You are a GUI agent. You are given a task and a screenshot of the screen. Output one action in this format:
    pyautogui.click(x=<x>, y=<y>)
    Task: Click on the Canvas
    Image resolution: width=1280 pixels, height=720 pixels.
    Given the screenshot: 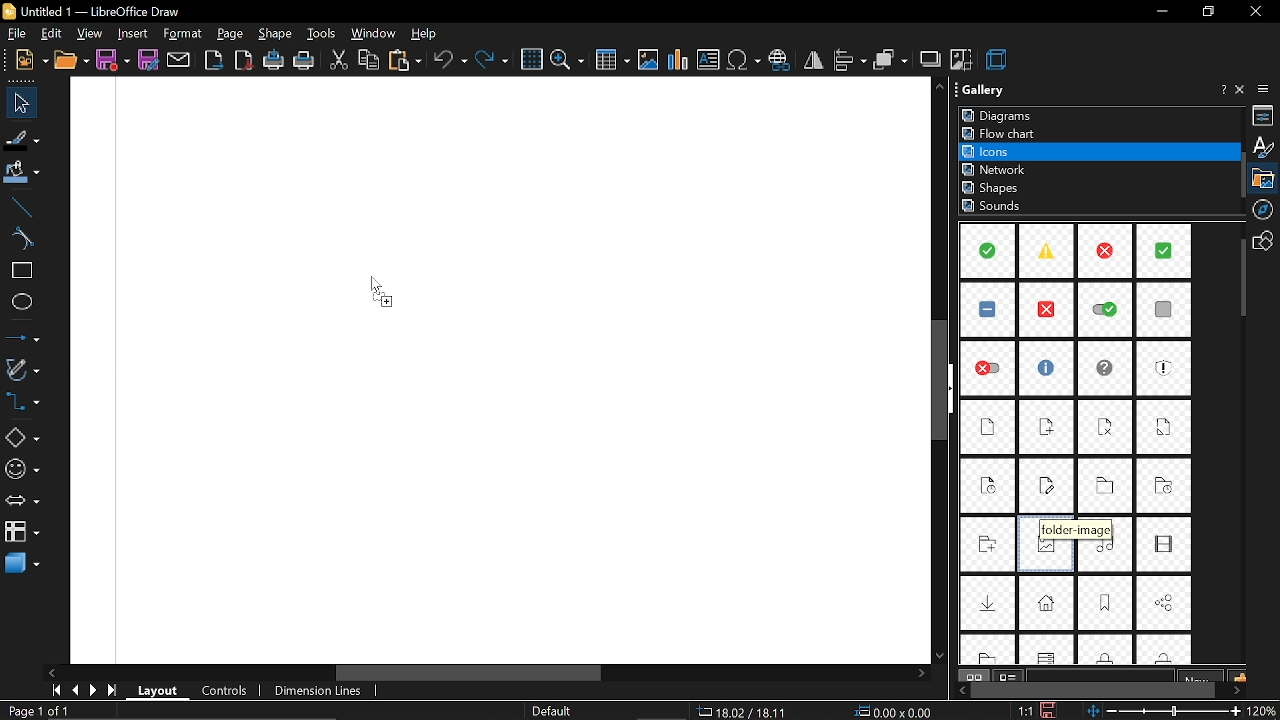 What is the action you would take?
    pyautogui.click(x=495, y=372)
    